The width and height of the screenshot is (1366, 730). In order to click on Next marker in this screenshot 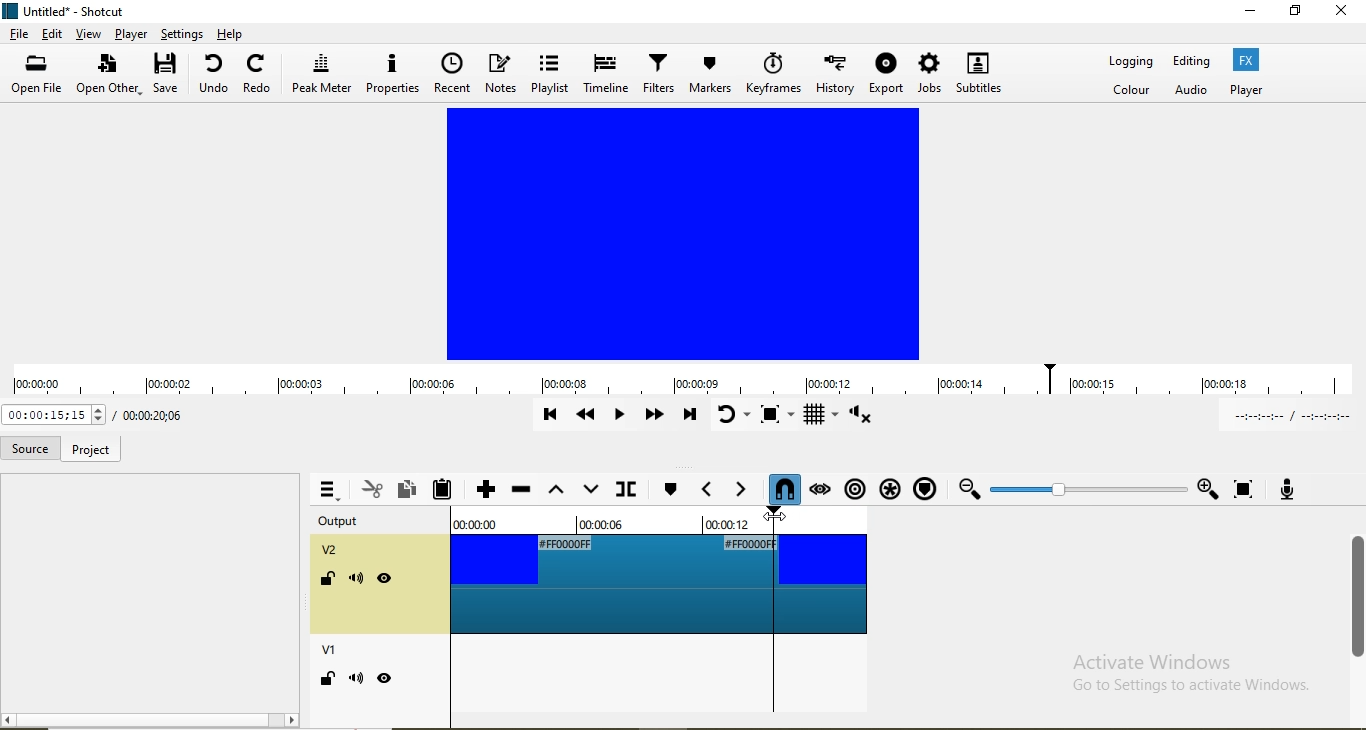, I will do `click(736, 490)`.